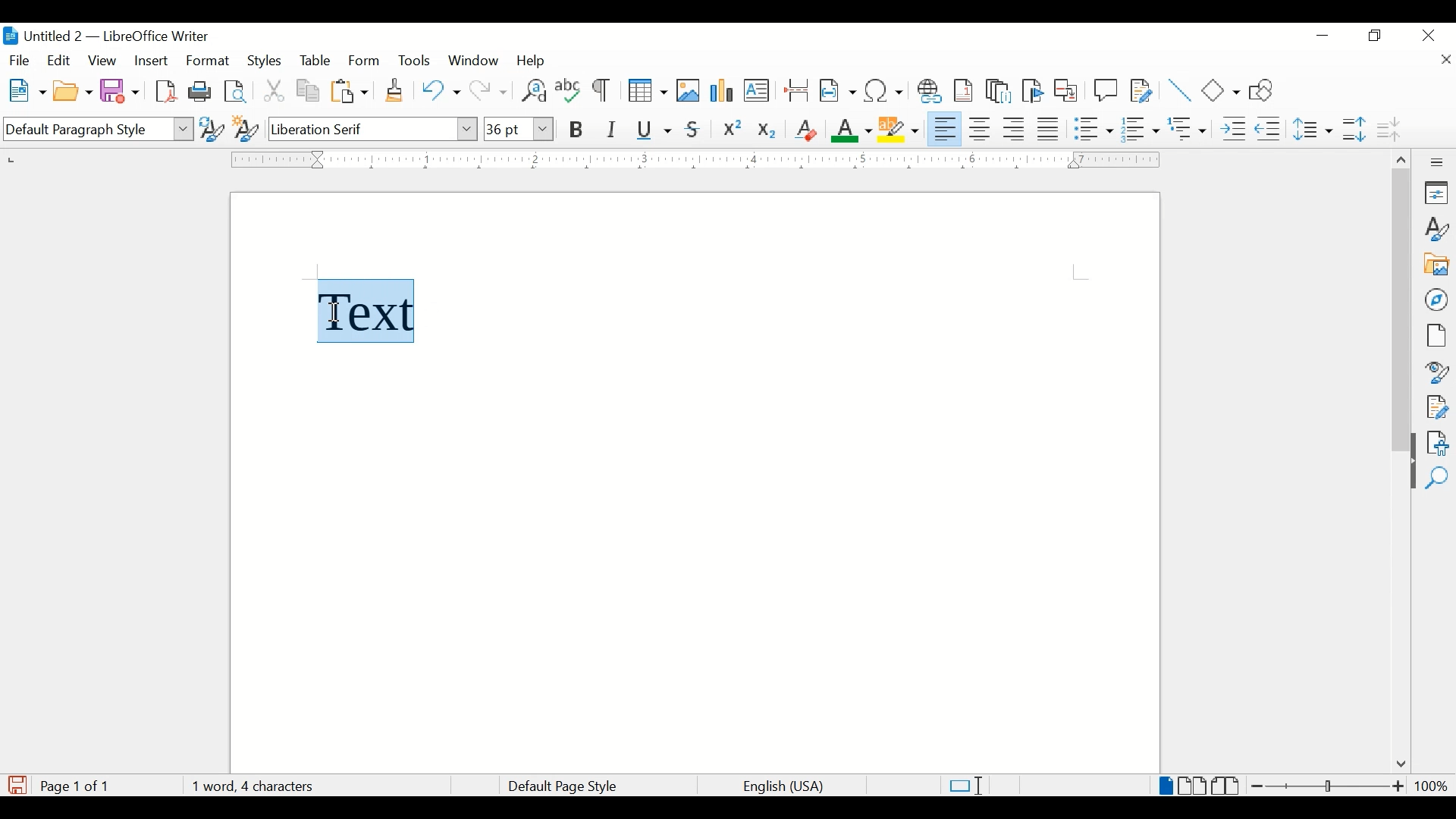 This screenshot has width=1456, height=819. What do you see at coordinates (96, 130) in the screenshot?
I see `default paragraph style` at bounding box center [96, 130].